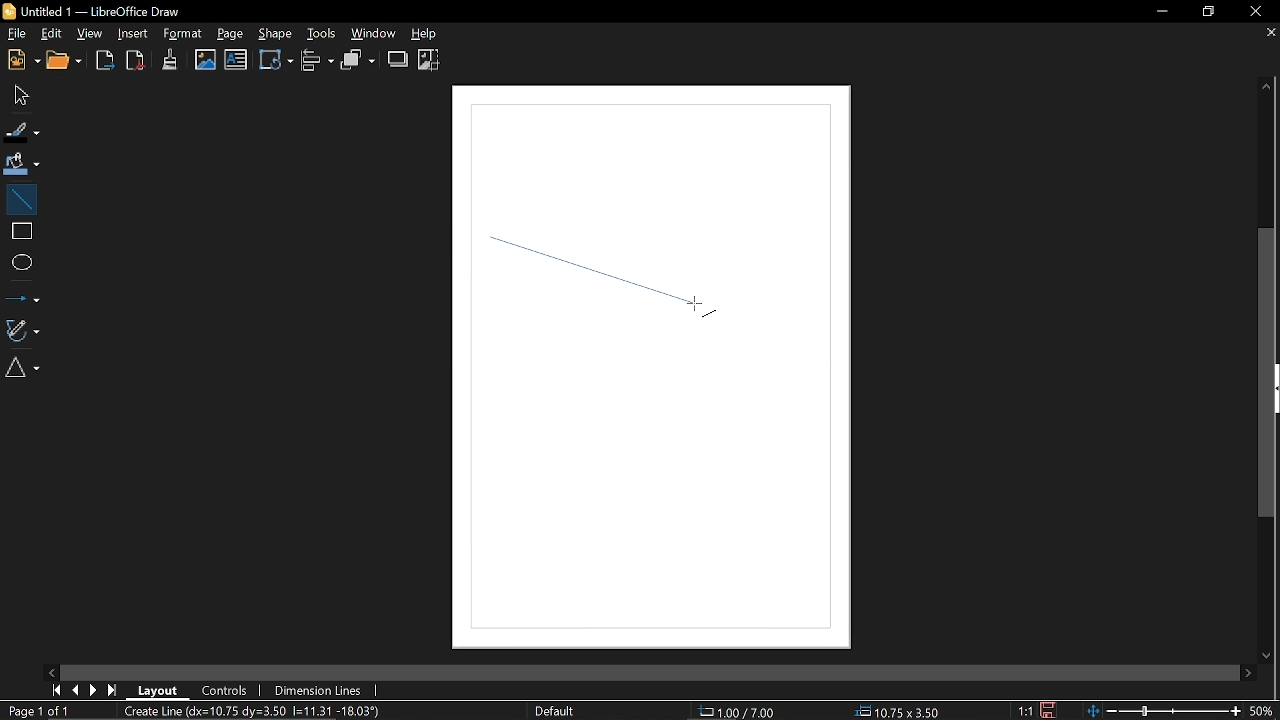 The image size is (1280, 720). I want to click on Format, so click(182, 34).